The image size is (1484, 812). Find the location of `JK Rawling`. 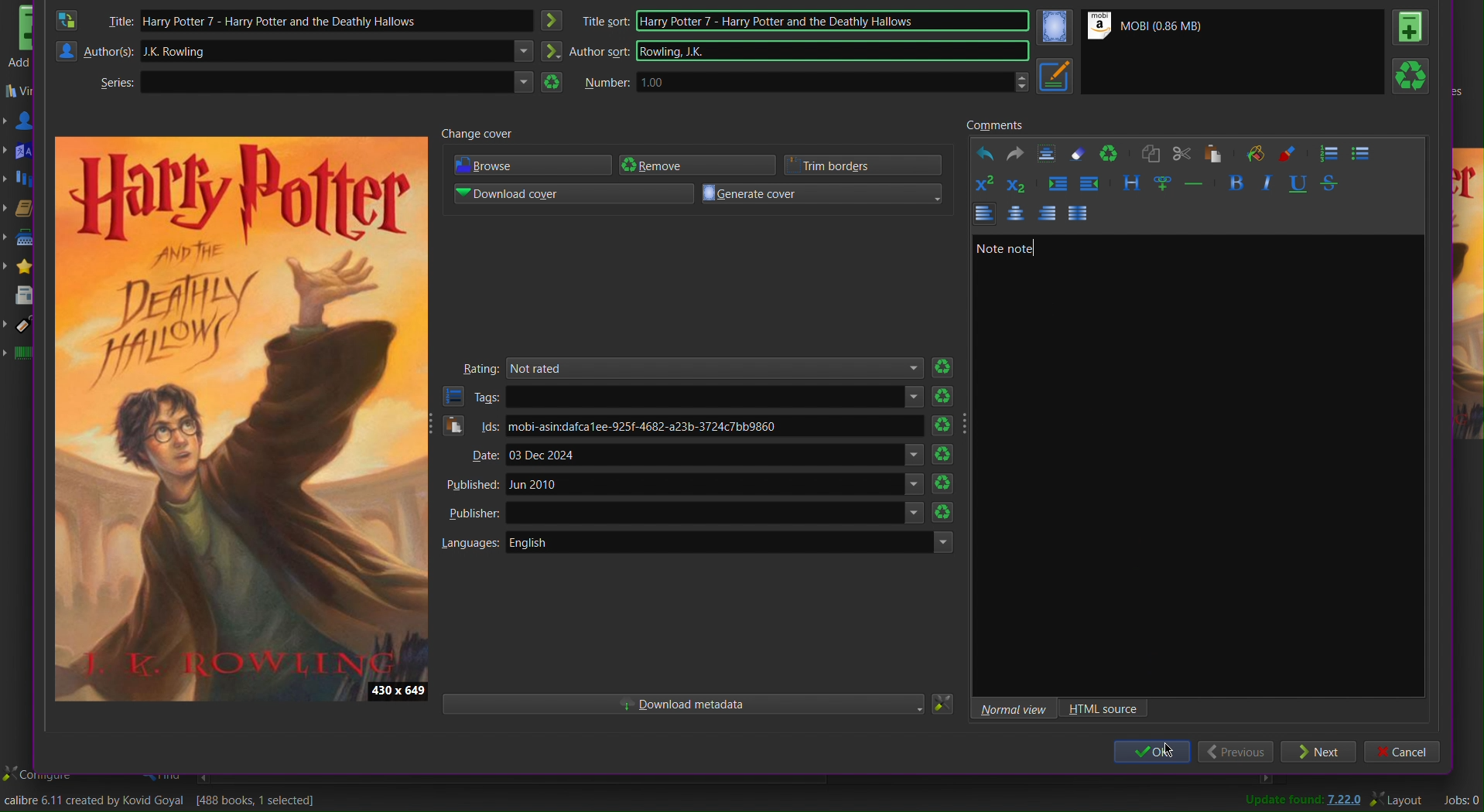

JK Rawling is located at coordinates (349, 53).